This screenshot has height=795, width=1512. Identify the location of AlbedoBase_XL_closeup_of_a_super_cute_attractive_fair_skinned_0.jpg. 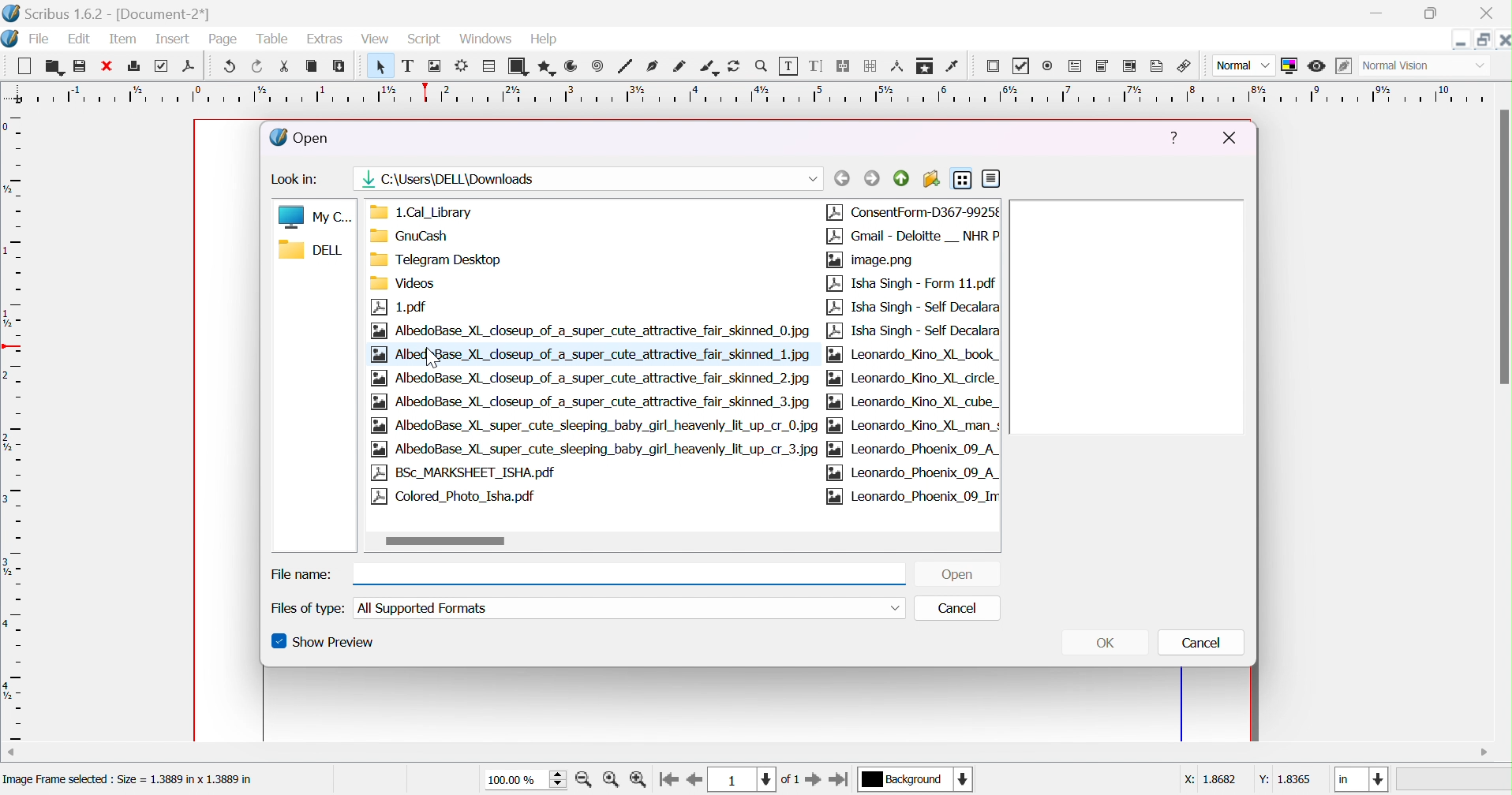
(578, 331).